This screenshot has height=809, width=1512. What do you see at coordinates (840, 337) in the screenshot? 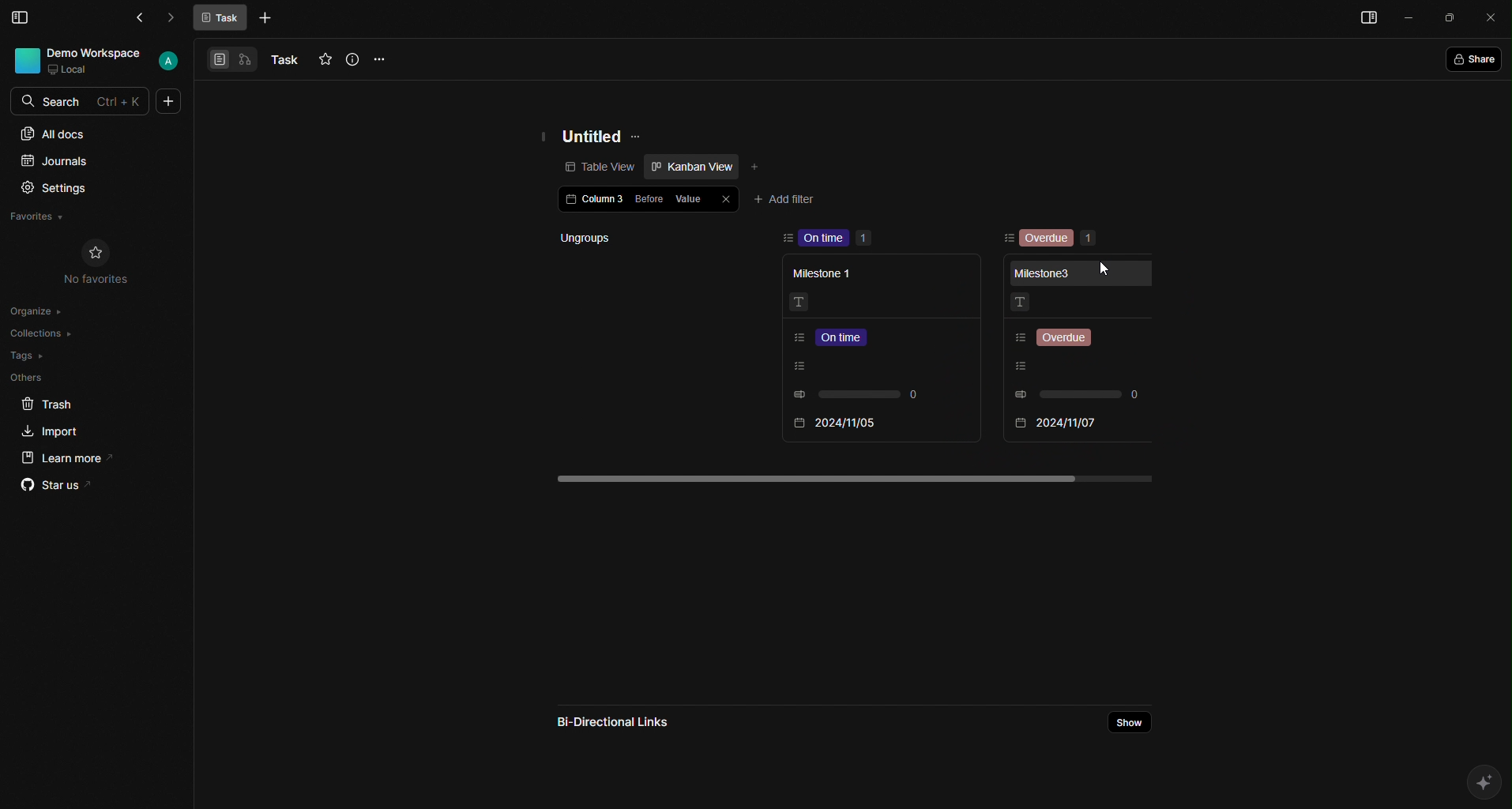
I see `Listing` at bounding box center [840, 337].